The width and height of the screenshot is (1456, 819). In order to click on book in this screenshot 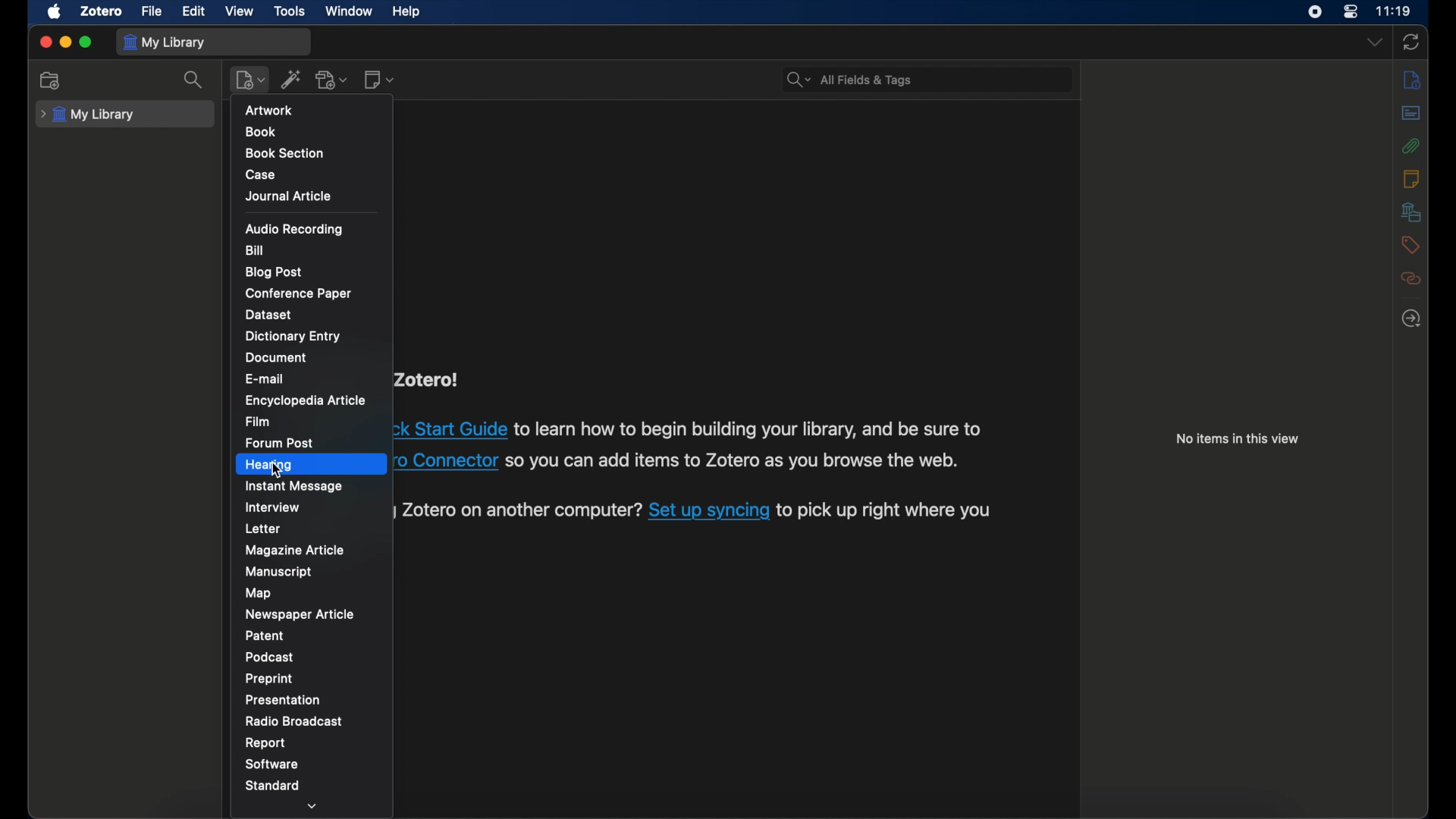, I will do `click(260, 131)`.